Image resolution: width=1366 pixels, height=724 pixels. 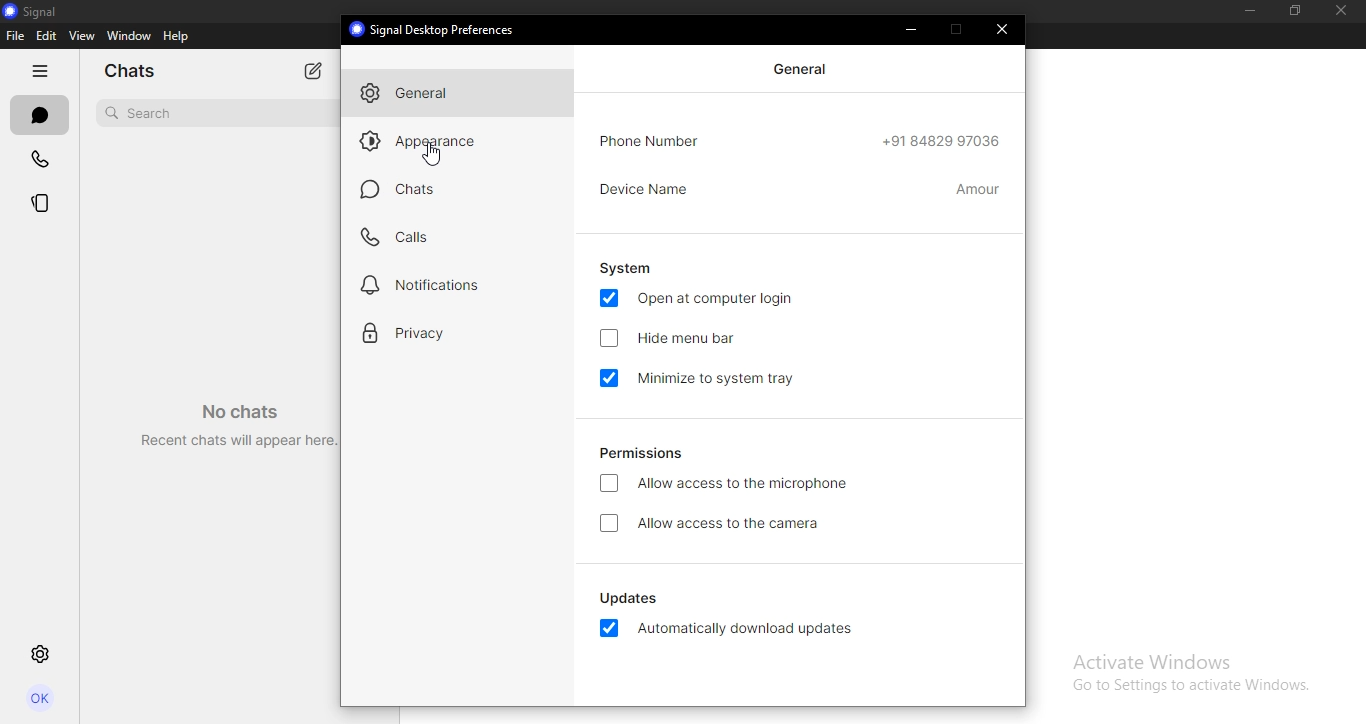 I want to click on help, so click(x=177, y=37).